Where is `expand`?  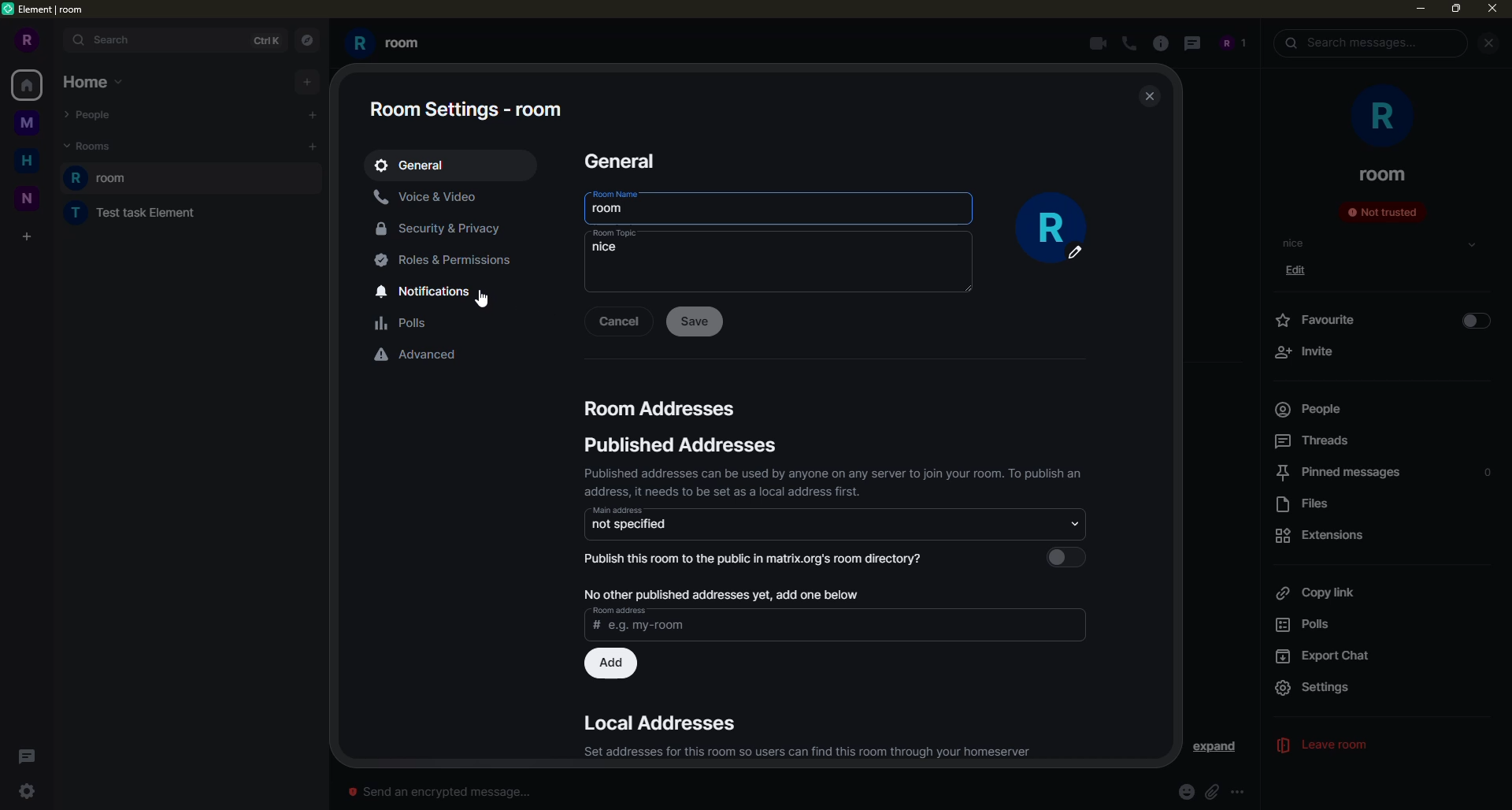
expand is located at coordinates (1215, 748).